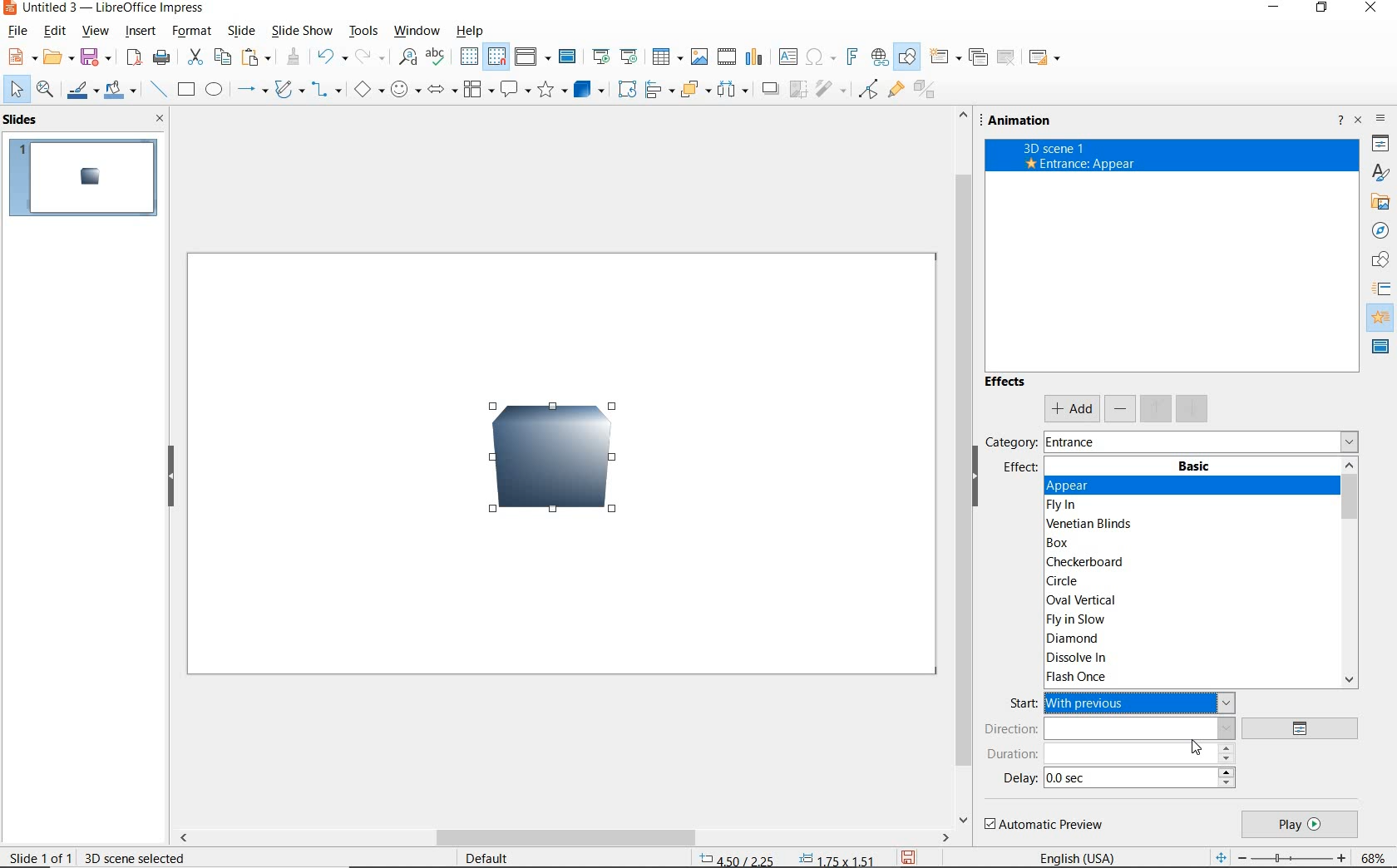 The image size is (1397, 868). What do you see at coordinates (1080, 164) in the screenshot?
I see `ENTRANCE: APPEAR` at bounding box center [1080, 164].